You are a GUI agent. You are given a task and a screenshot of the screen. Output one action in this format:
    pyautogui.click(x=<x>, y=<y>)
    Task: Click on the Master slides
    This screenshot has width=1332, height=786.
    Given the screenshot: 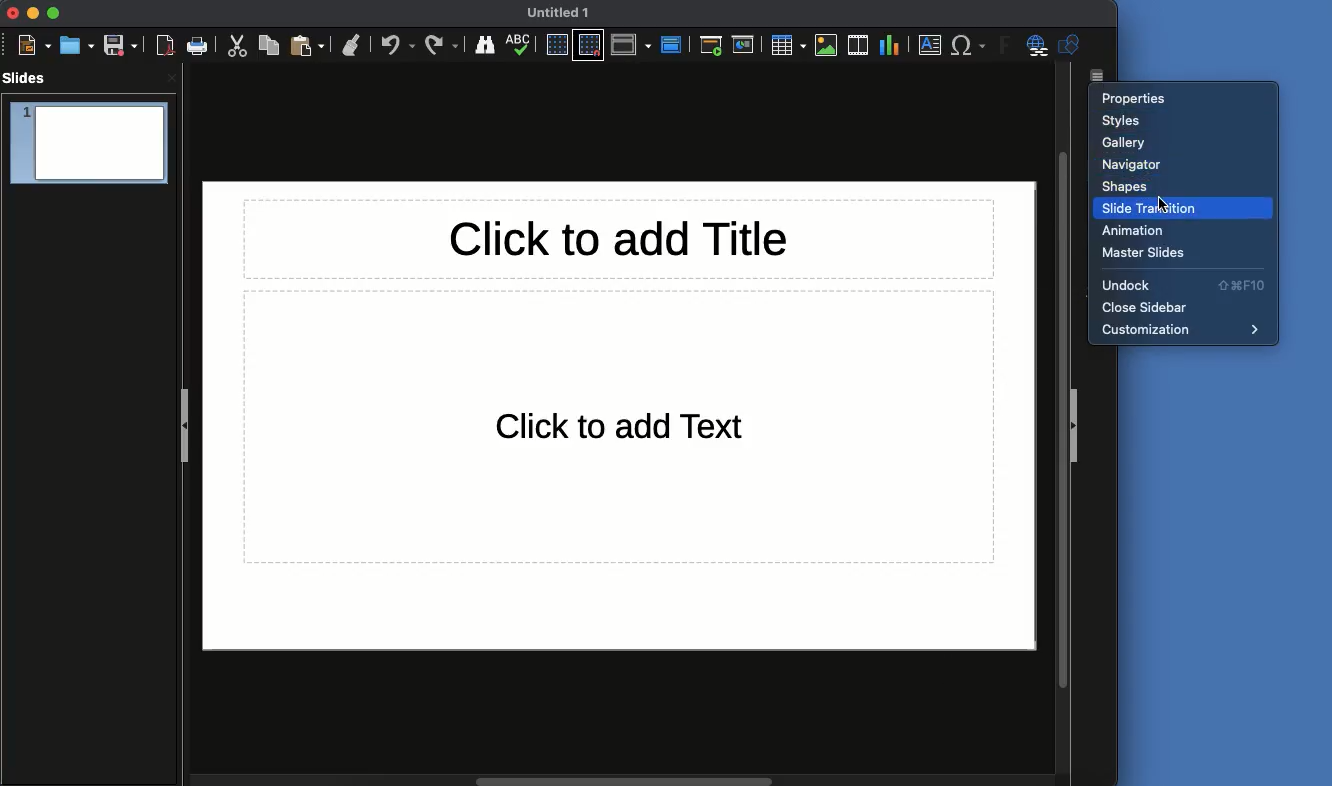 What is the action you would take?
    pyautogui.click(x=1149, y=254)
    